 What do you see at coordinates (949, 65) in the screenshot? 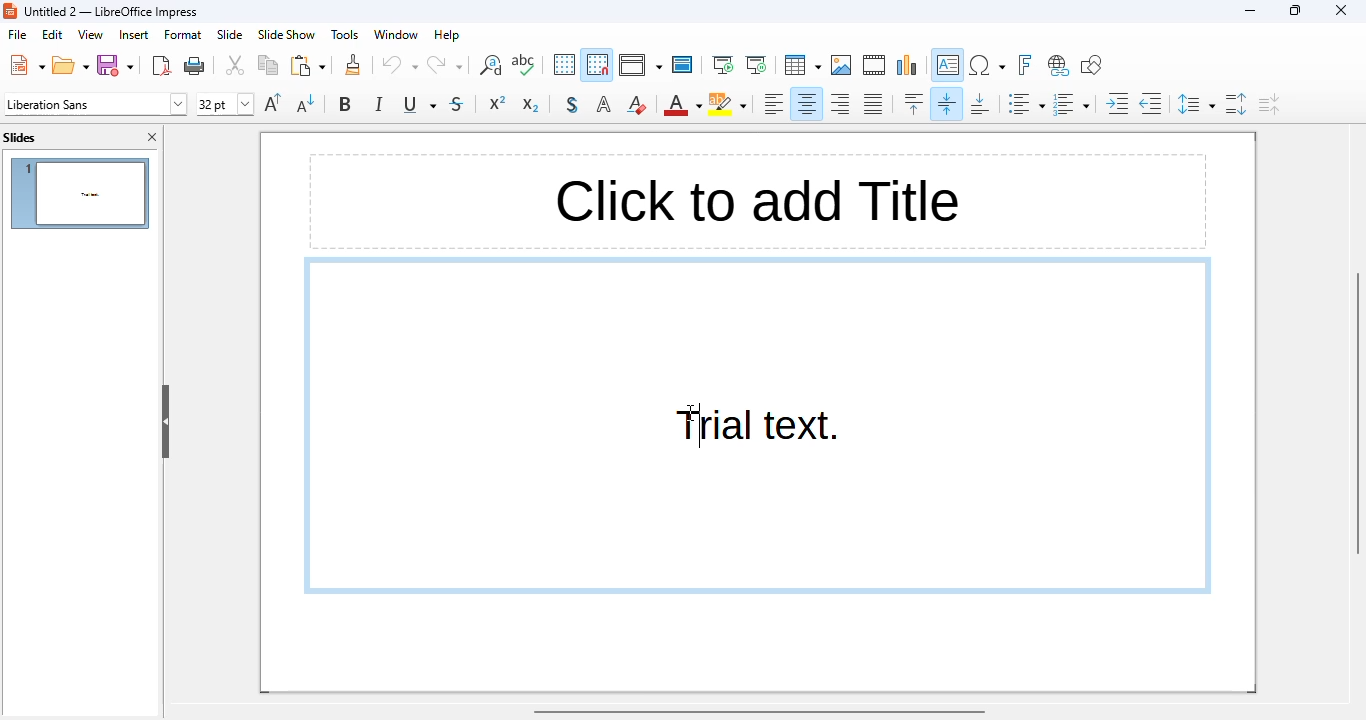
I see `insert text box` at bounding box center [949, 65].